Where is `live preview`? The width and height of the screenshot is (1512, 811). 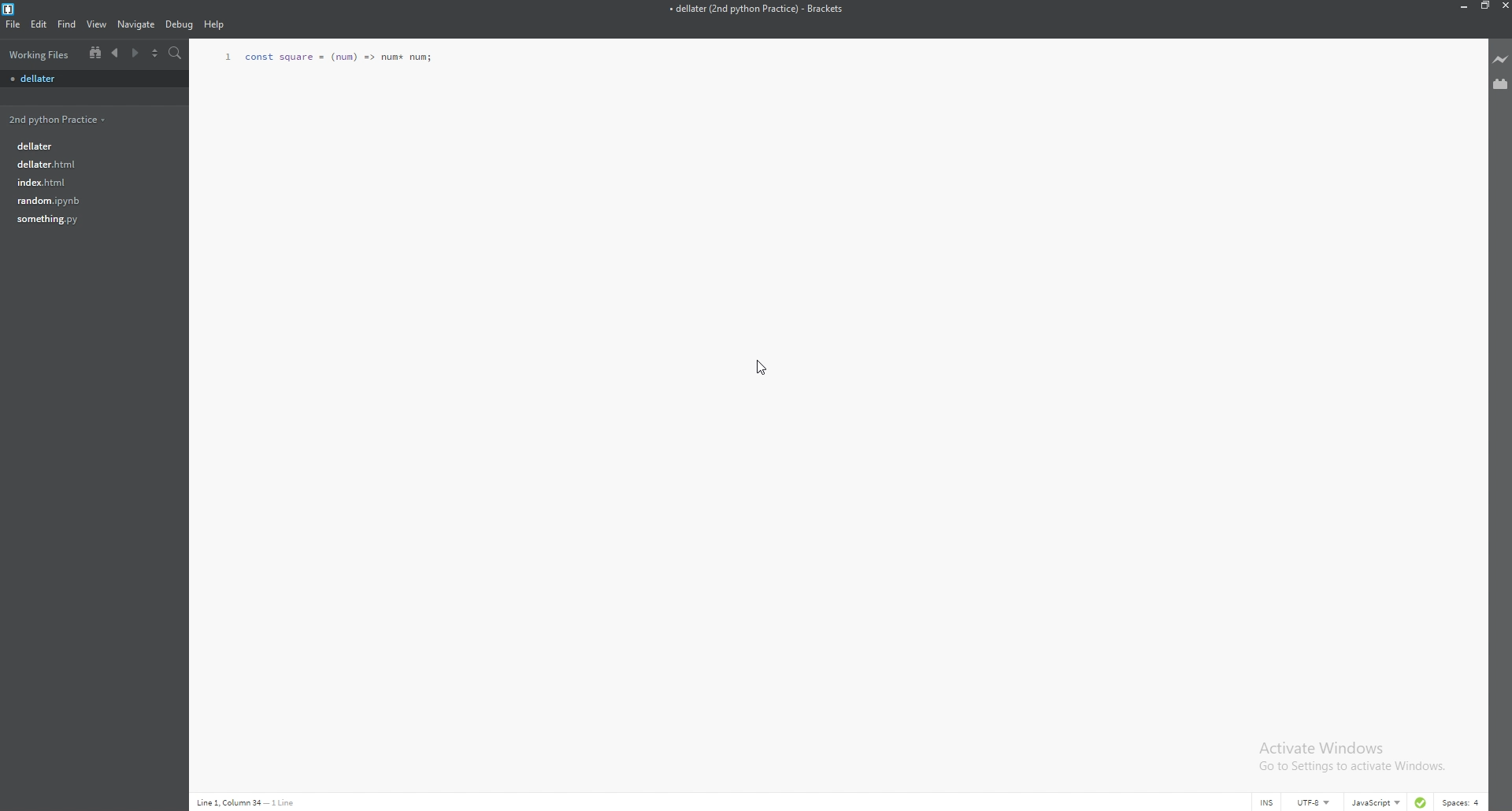 live preview is located at coordinates (1501, 59).